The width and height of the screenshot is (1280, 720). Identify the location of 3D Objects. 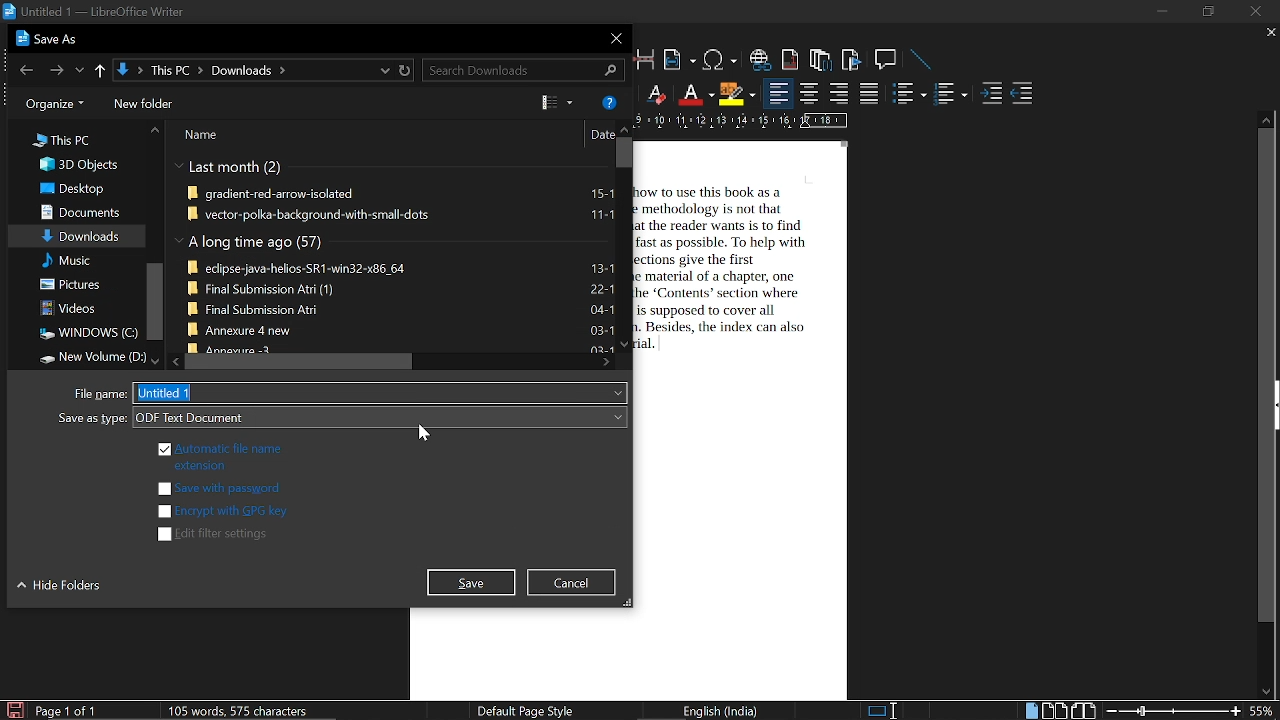
(77, 165).